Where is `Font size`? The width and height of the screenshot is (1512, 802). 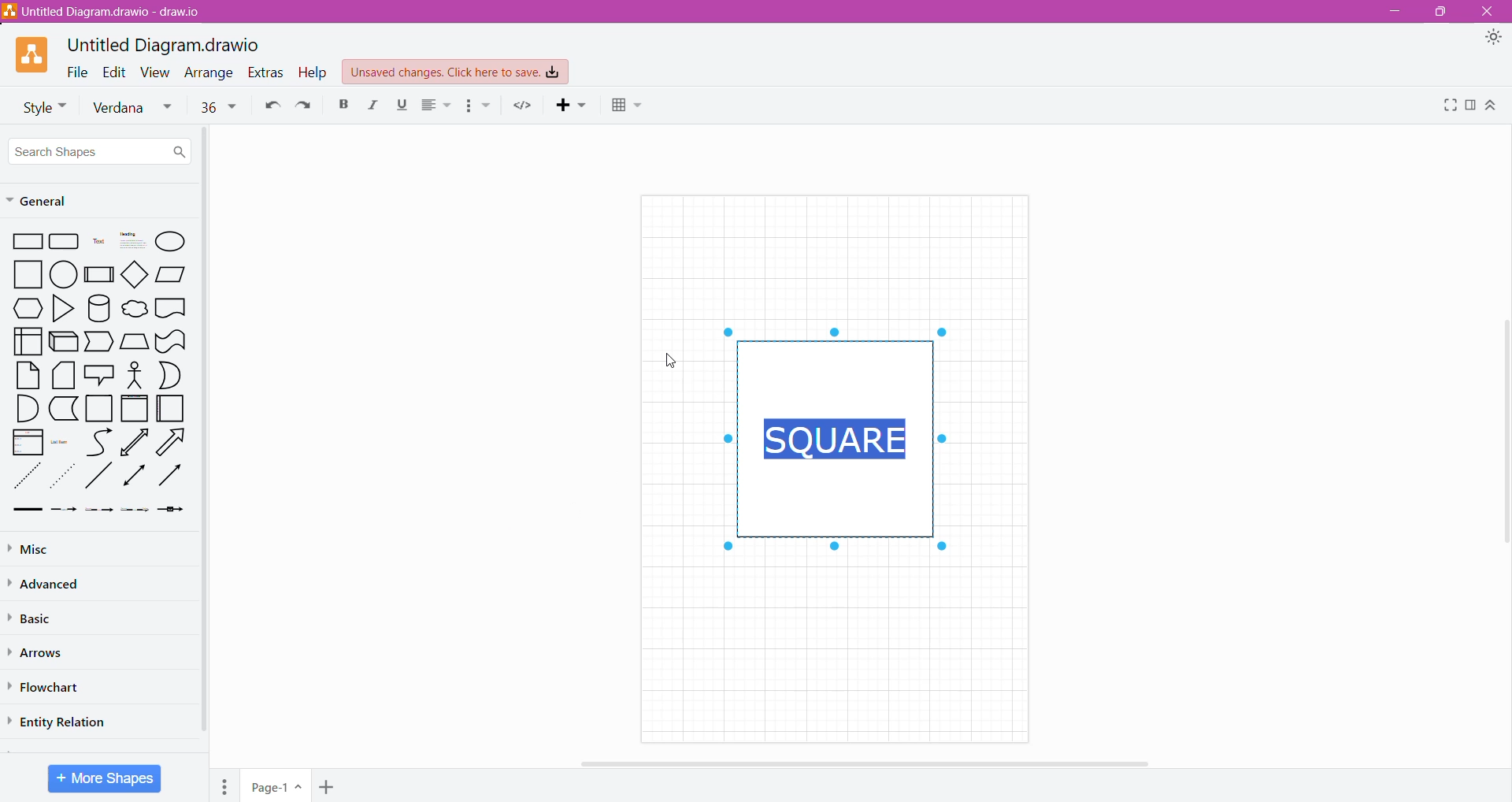 Font size is located at coordinates (218, 106).